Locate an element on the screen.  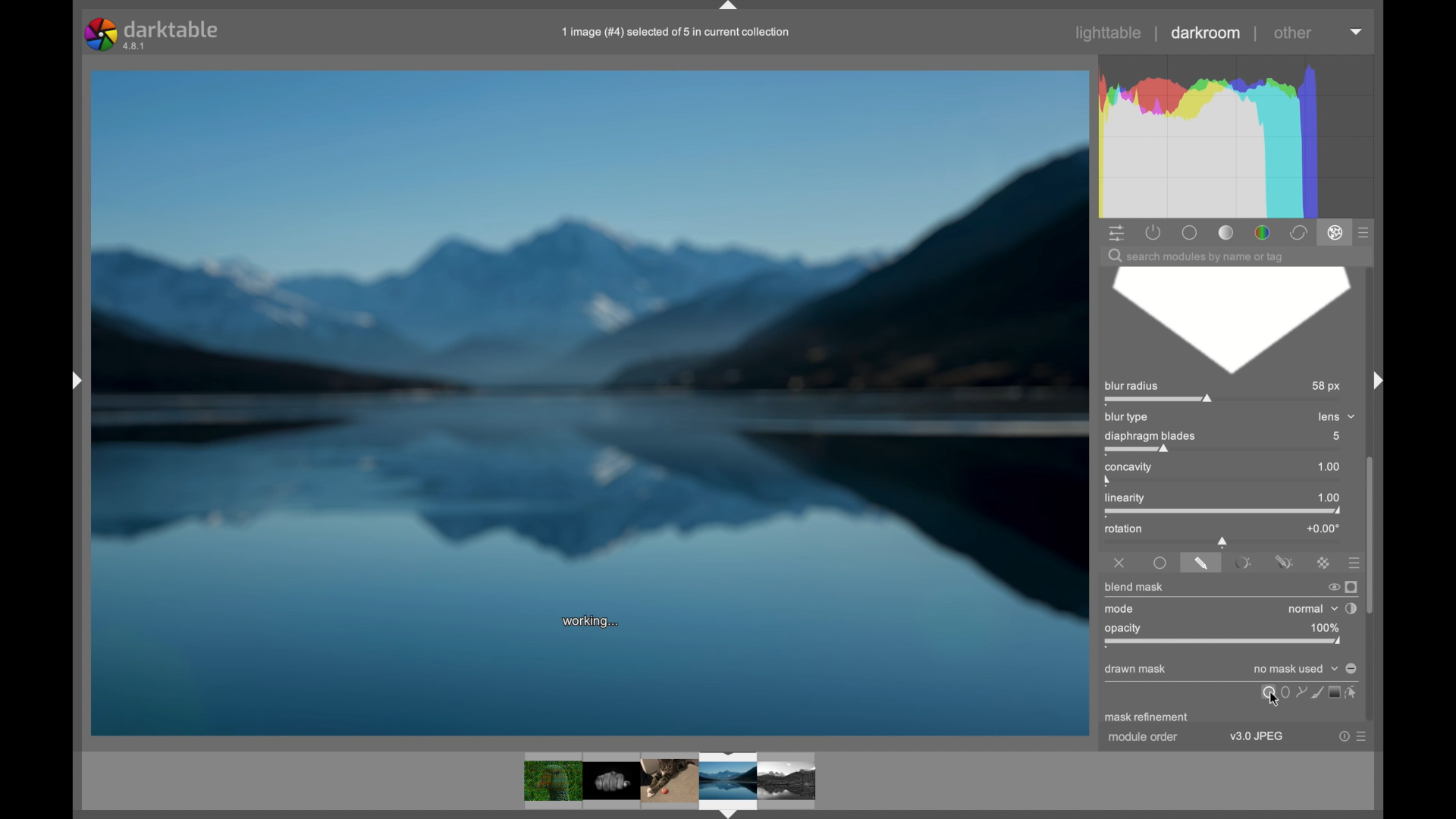
uniformly is located at coordinates (1269, 692).